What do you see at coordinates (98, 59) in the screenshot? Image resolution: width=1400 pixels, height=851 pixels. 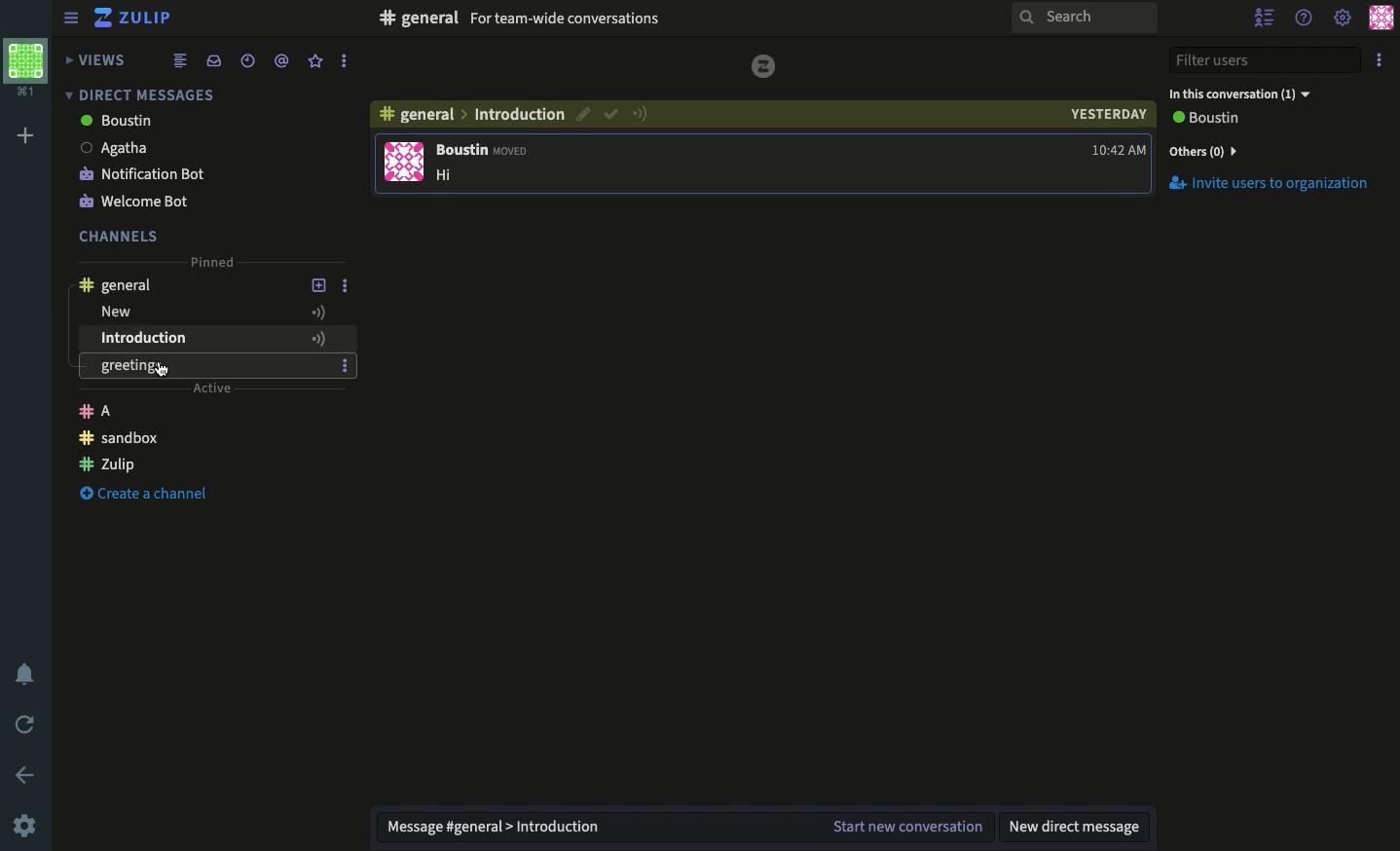 I see `Views` at bounding box center [98, 59].